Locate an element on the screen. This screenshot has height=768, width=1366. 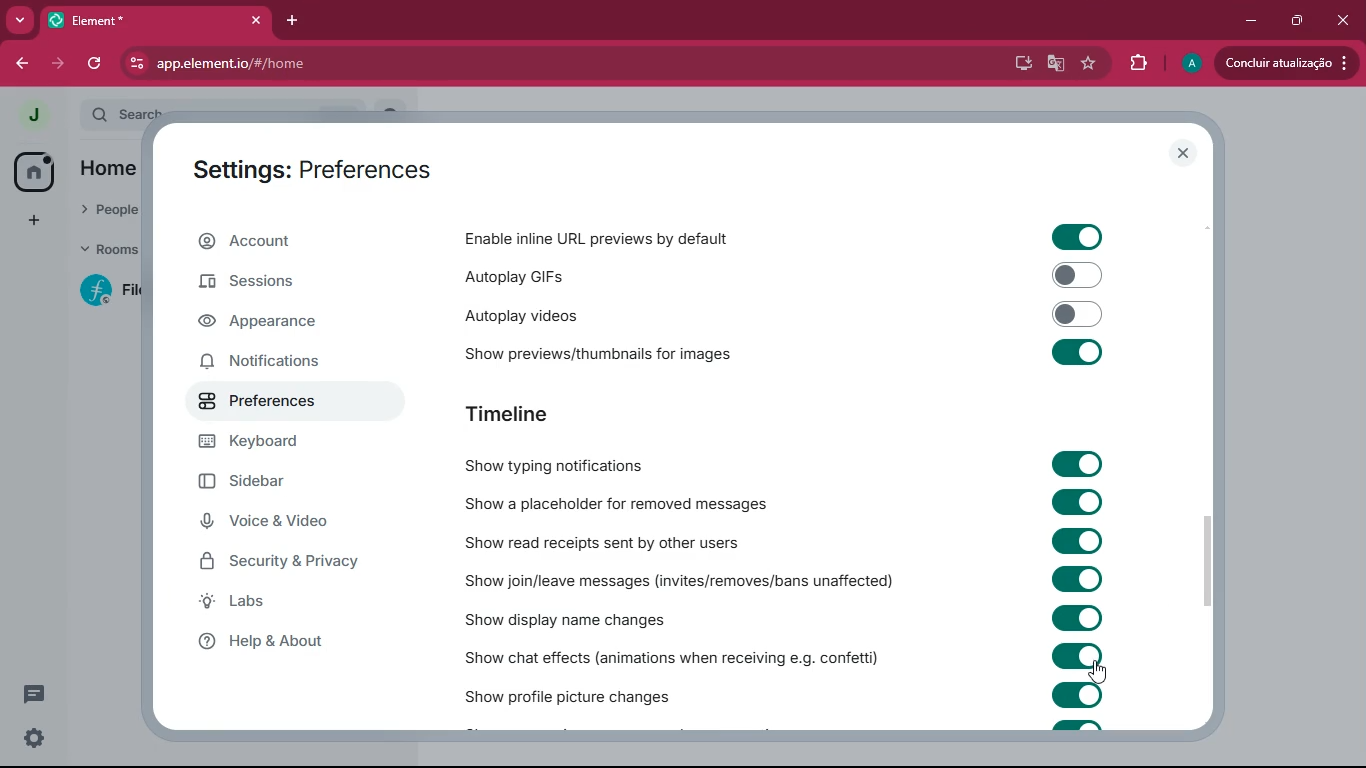
search is located at coordinates (120, 114).